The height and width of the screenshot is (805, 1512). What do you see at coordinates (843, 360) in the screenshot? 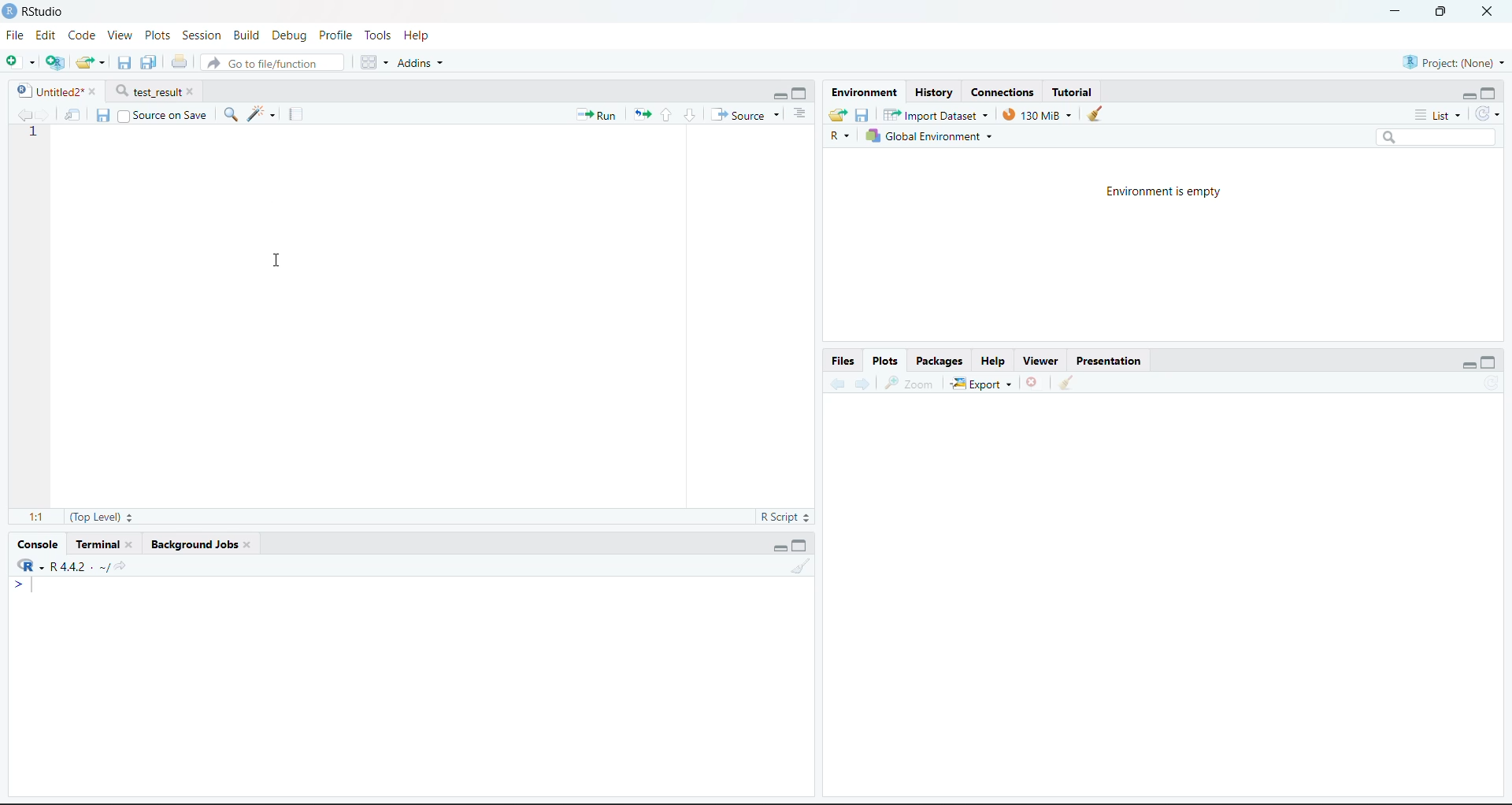
I see `Files` at bounding box center [843, 360].